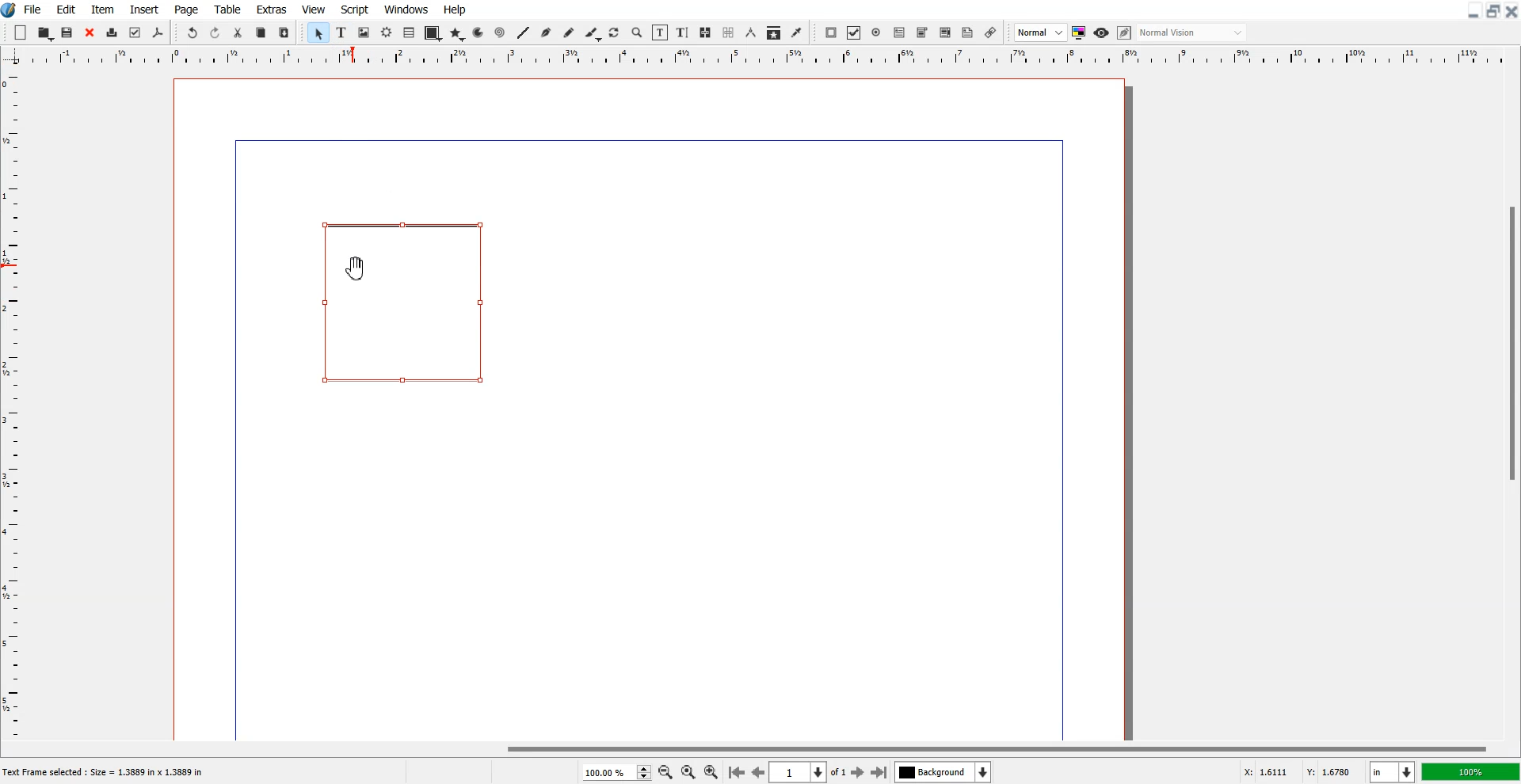 The width and height of the screenshot is (1521, 784). I want to click on Measurement in Inches, so click(1393, 772).